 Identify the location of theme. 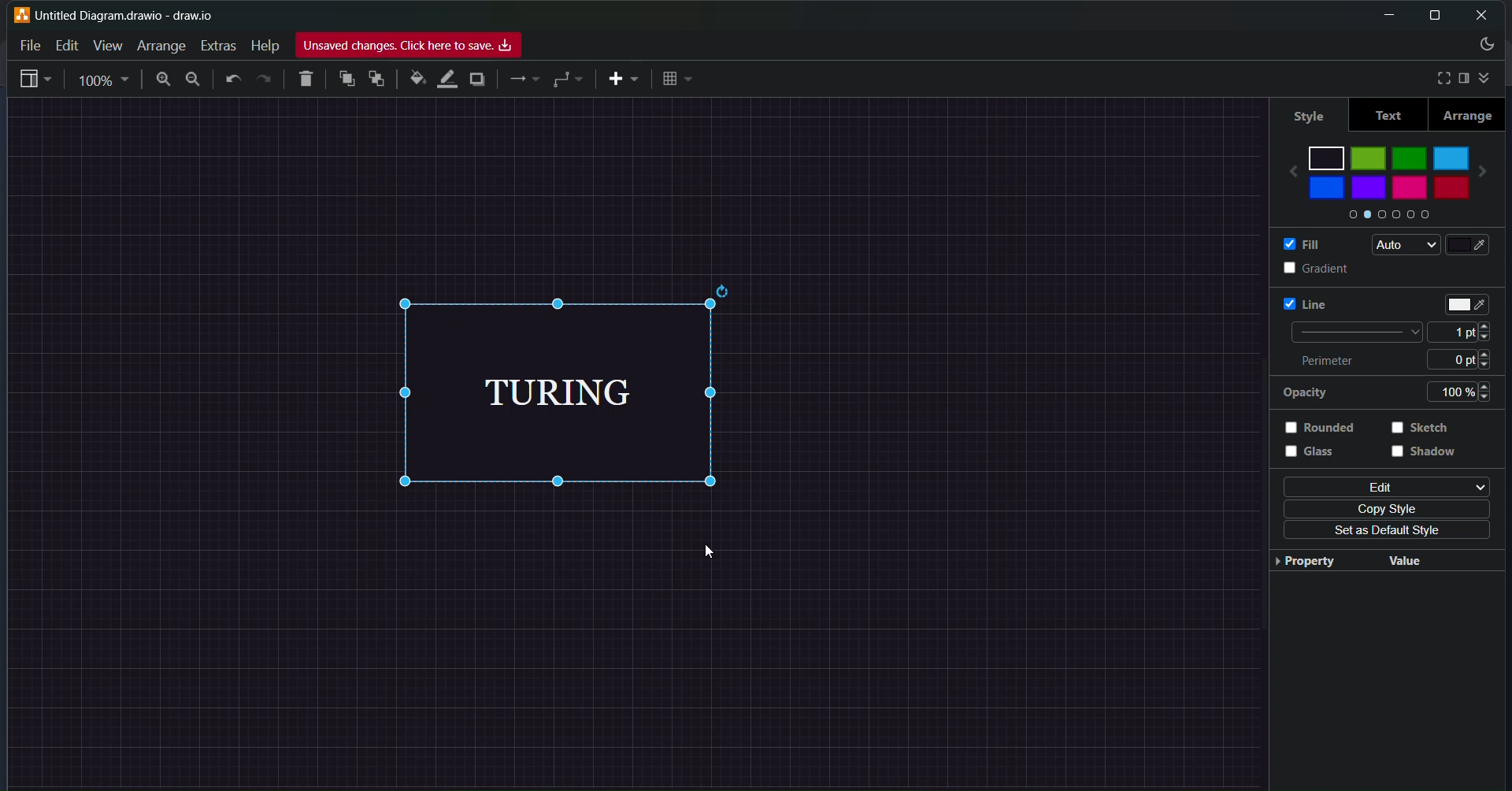
(1485, 46).